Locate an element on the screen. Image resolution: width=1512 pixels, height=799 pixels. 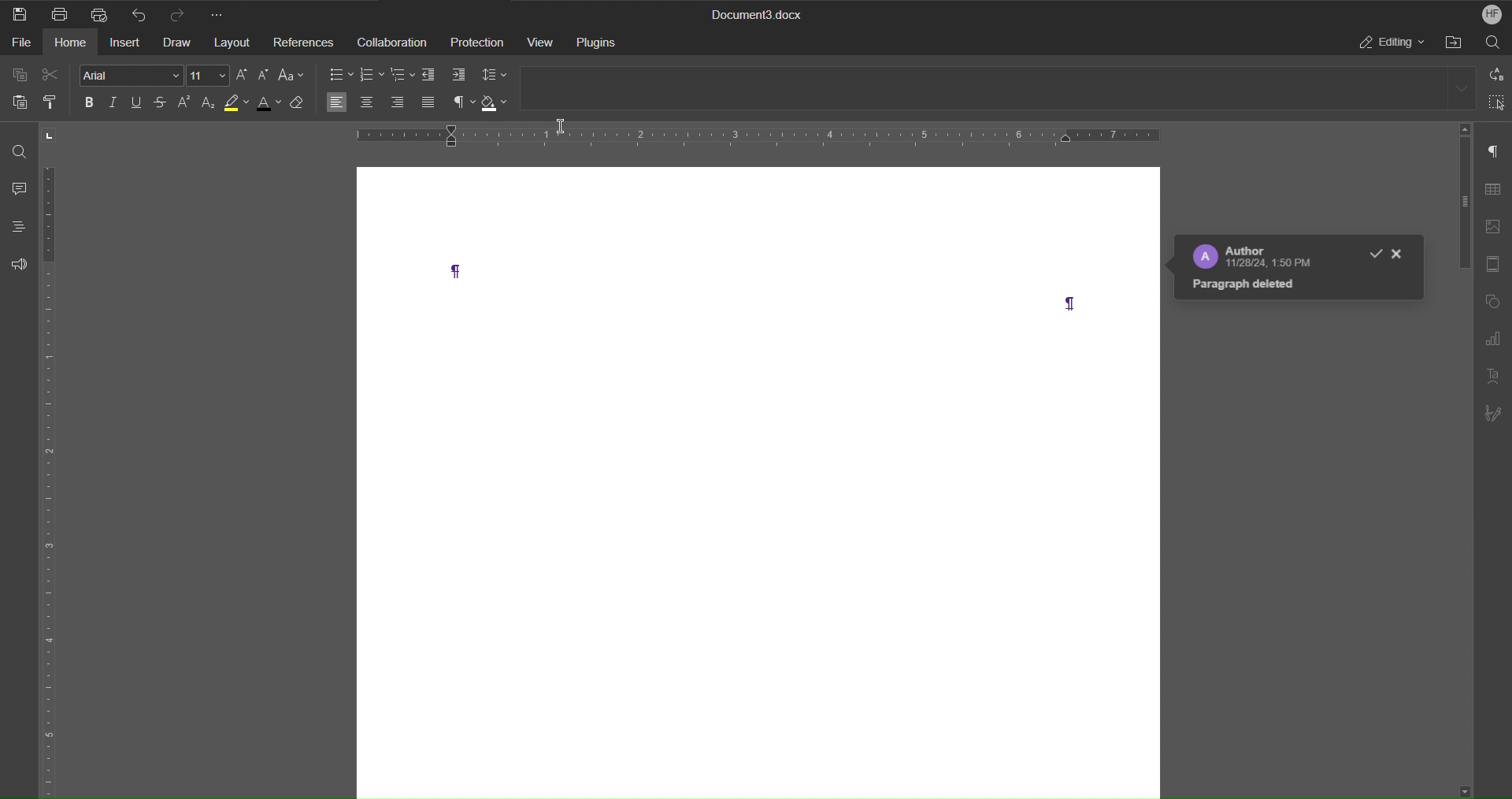
Subscript is located at coordinates (210, 102).